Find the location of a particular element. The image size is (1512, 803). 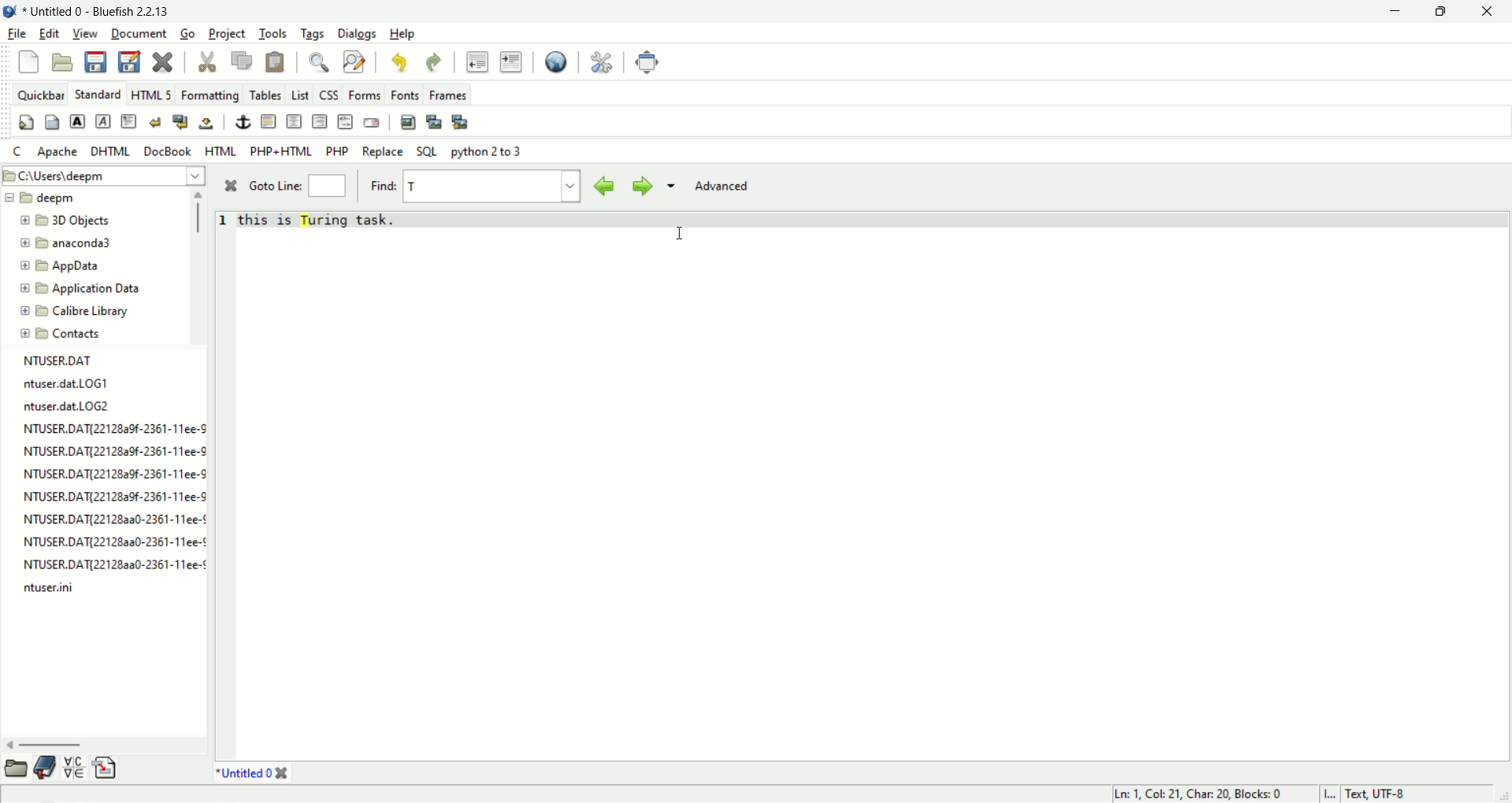

close is located at coordinates (234, 187).